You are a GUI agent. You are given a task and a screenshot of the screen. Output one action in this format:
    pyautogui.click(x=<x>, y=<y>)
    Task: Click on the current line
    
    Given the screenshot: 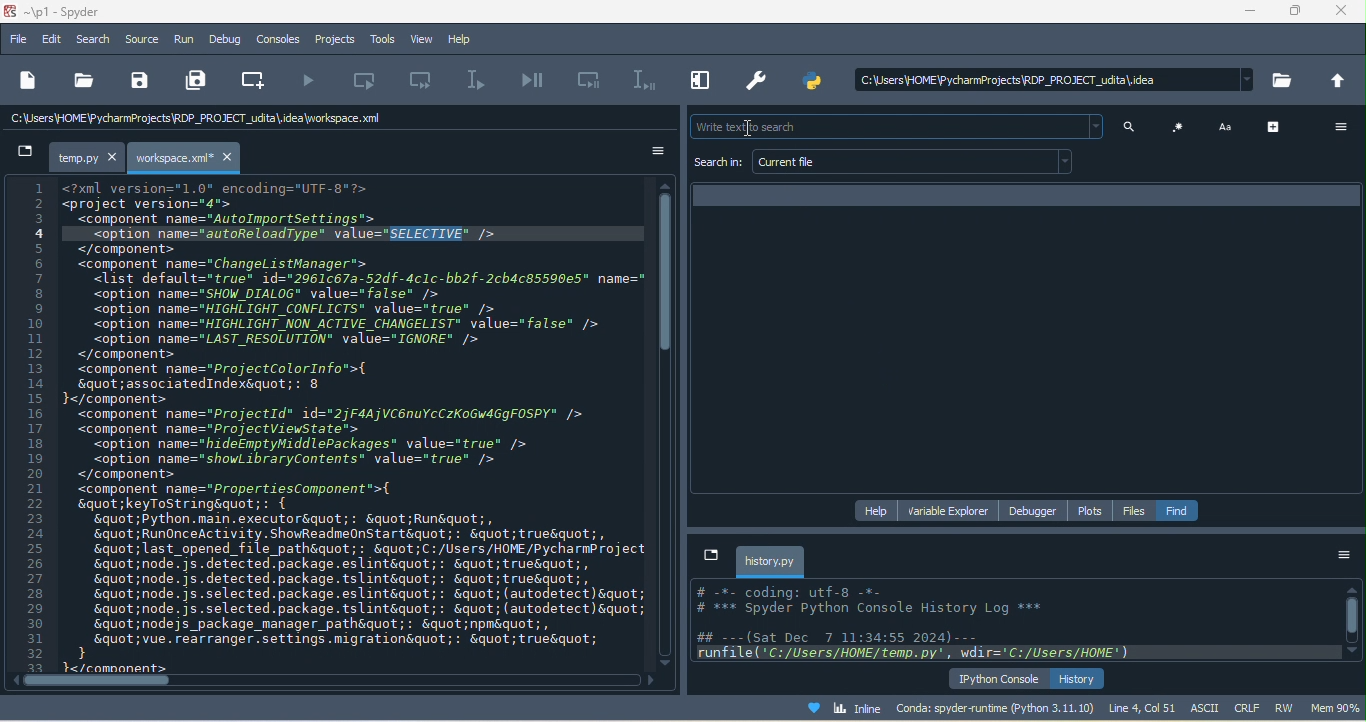 What is the action you would take?
    pyautogui.click(x=479, y=81)
    